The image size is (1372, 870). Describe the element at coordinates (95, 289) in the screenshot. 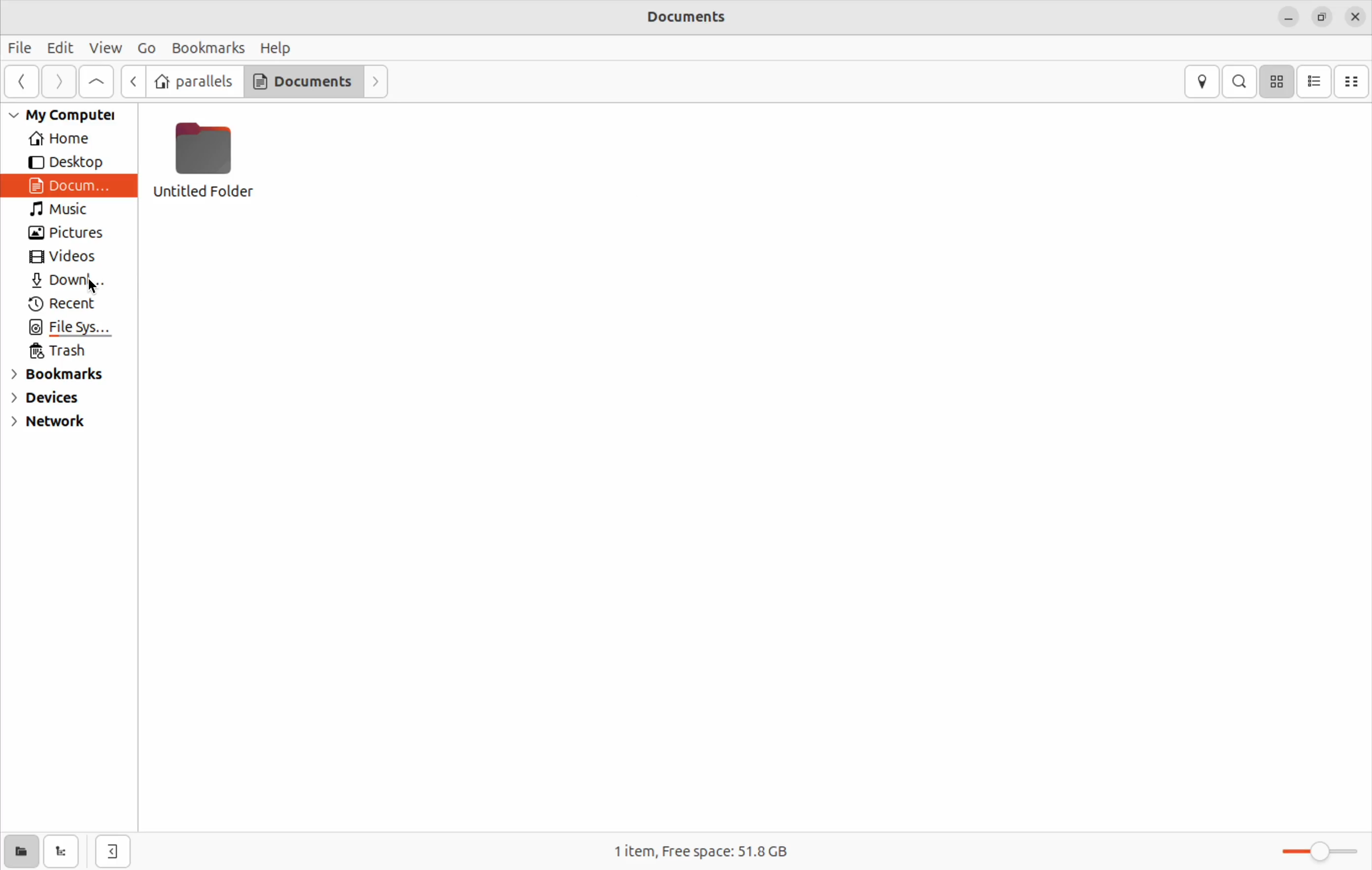

I see `cursor` at that location.